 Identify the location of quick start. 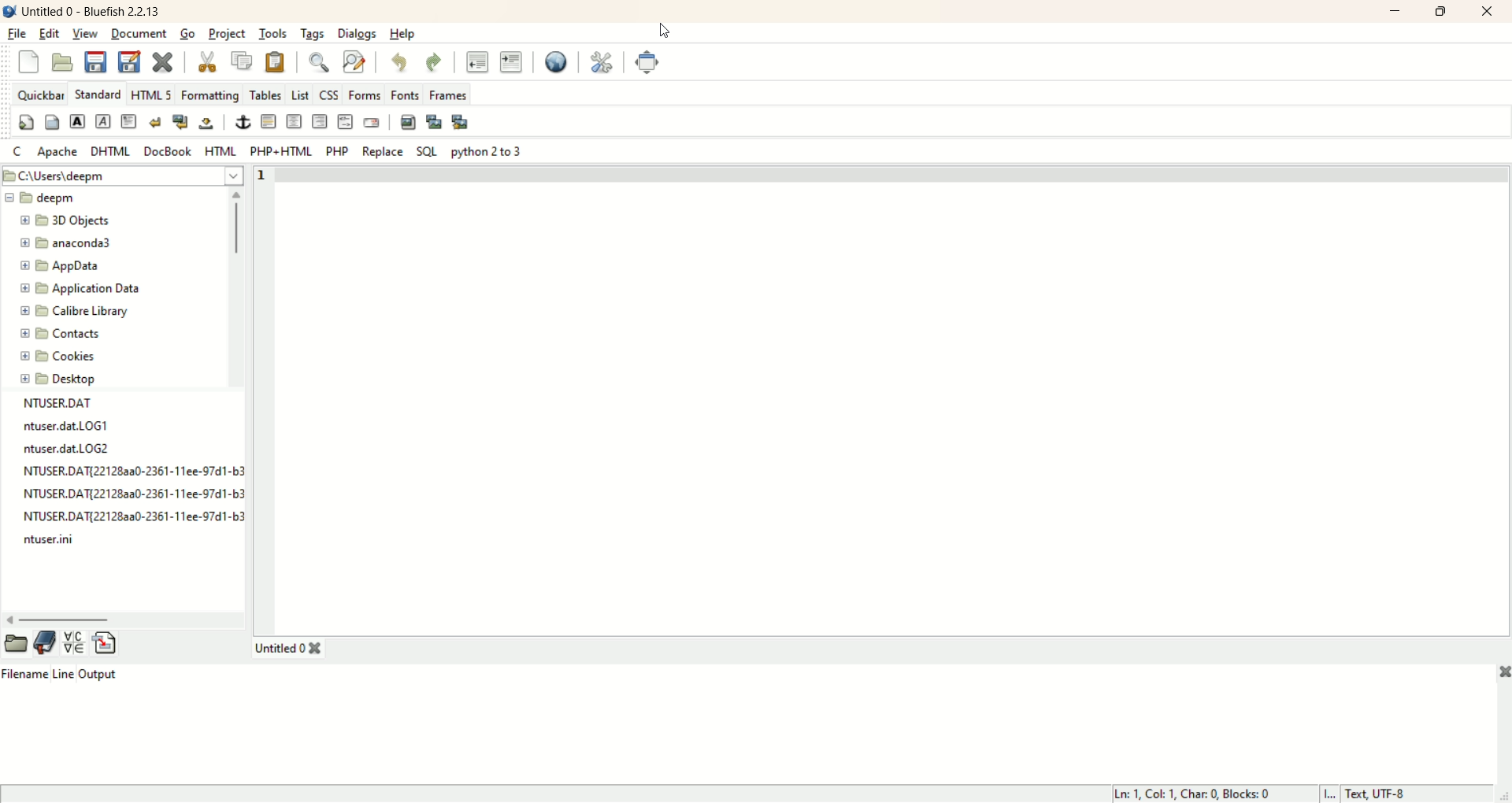
(25, 122).